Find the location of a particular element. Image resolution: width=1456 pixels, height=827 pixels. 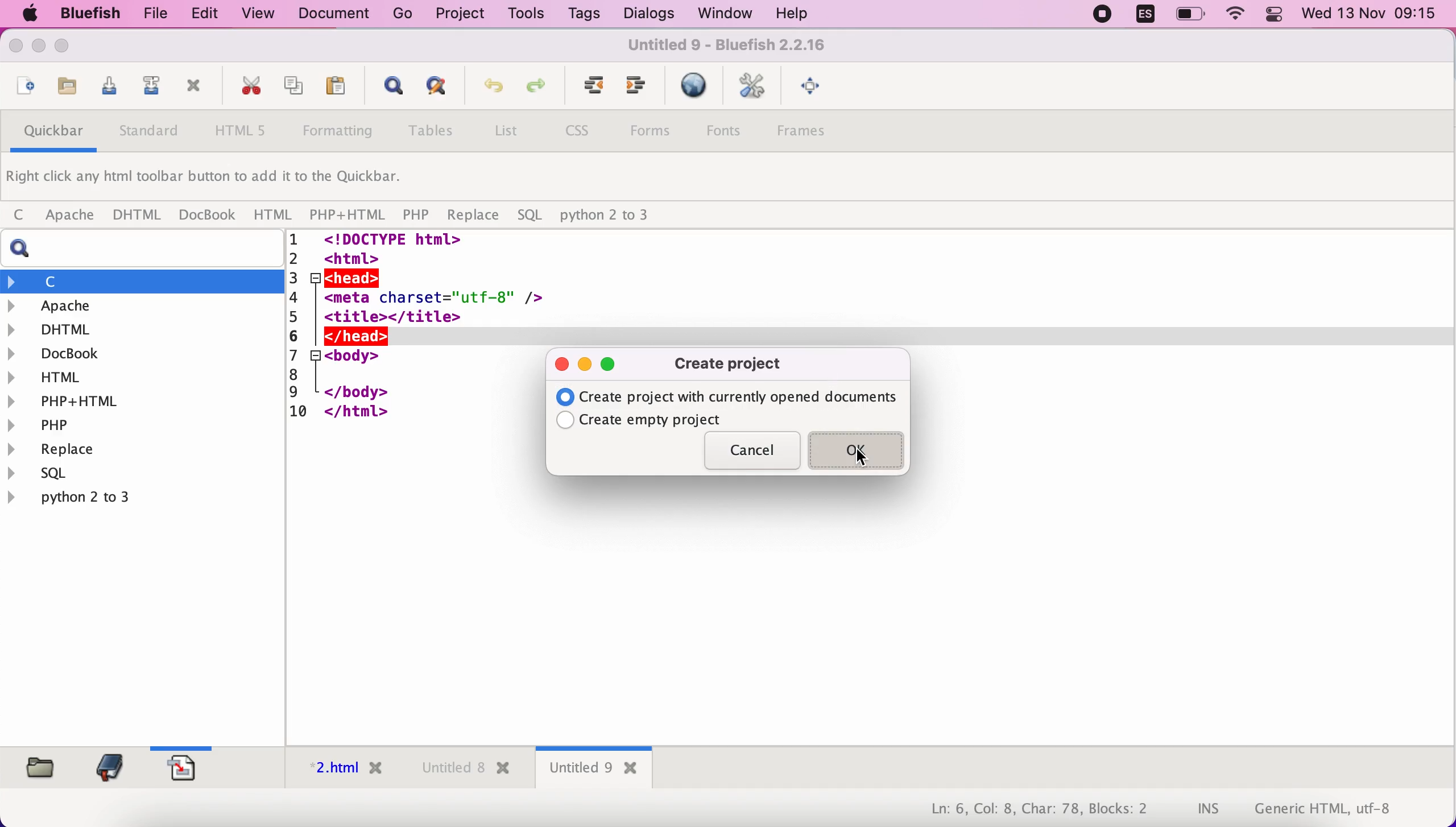

CREATE PROJECT is located at coordinates (735, 365).